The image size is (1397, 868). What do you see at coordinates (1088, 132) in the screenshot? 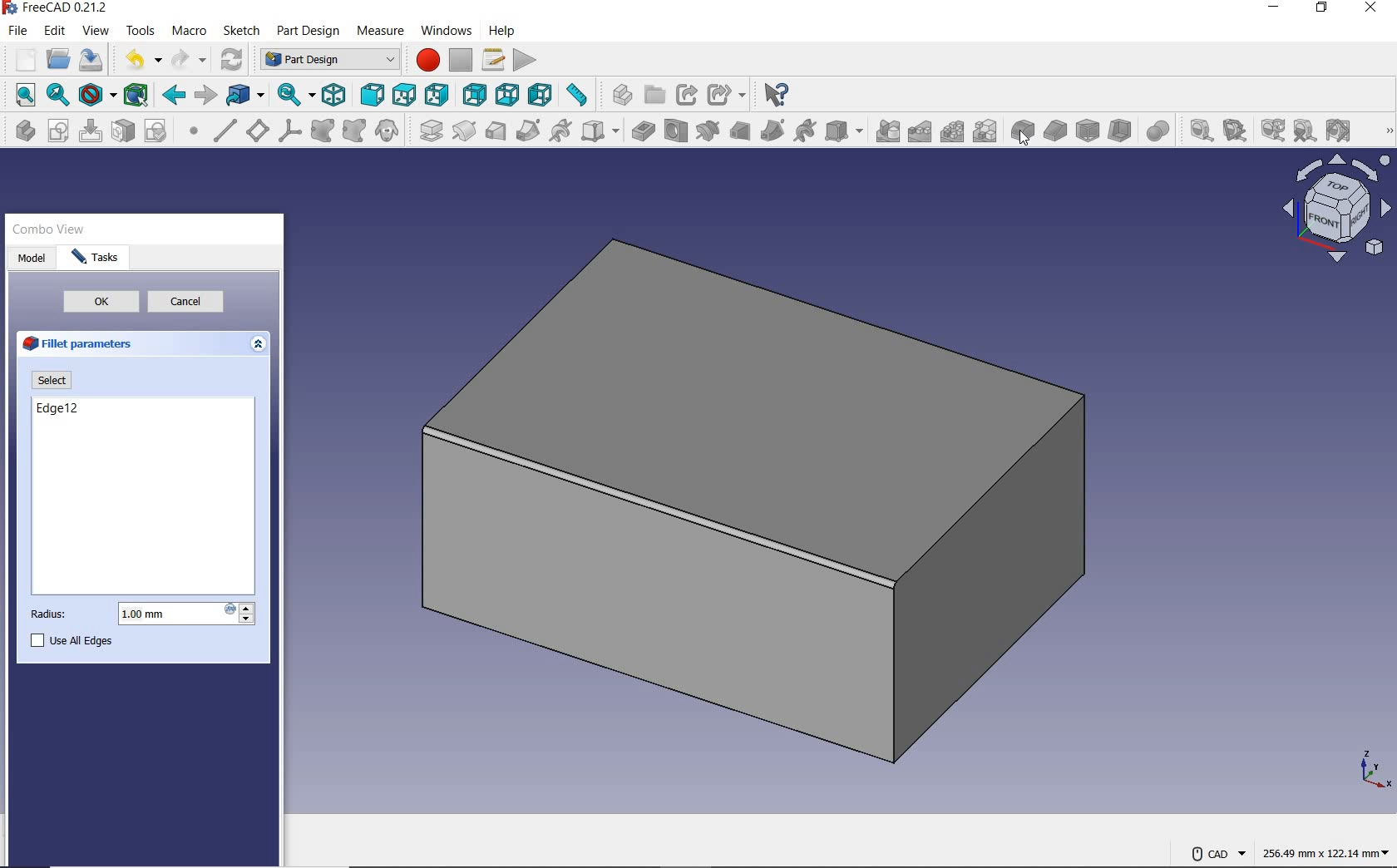
I see `draft` at bounding box center [1088, 132].